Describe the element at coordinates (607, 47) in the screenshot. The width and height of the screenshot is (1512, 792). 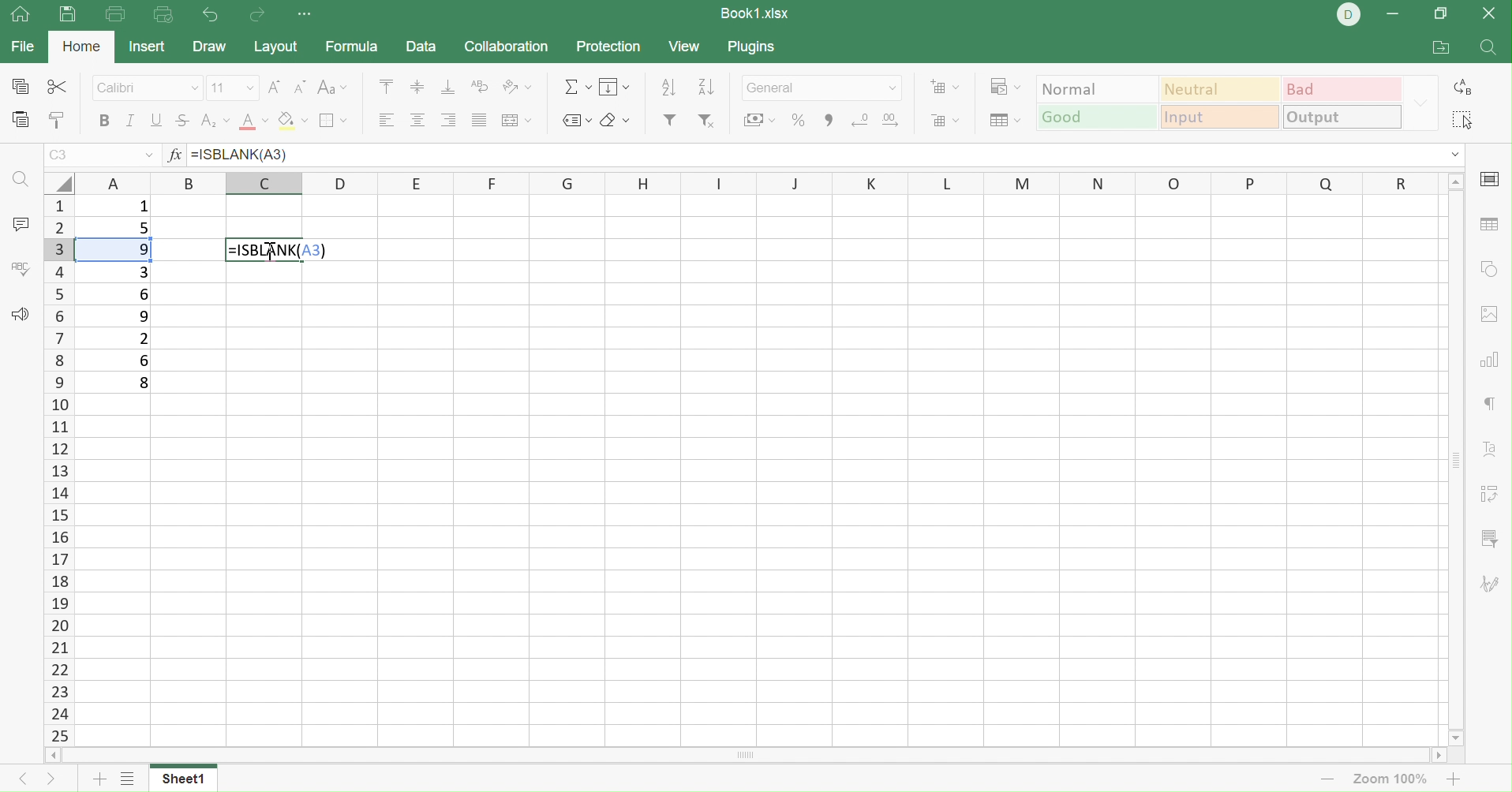
I see `Protection` at that location.